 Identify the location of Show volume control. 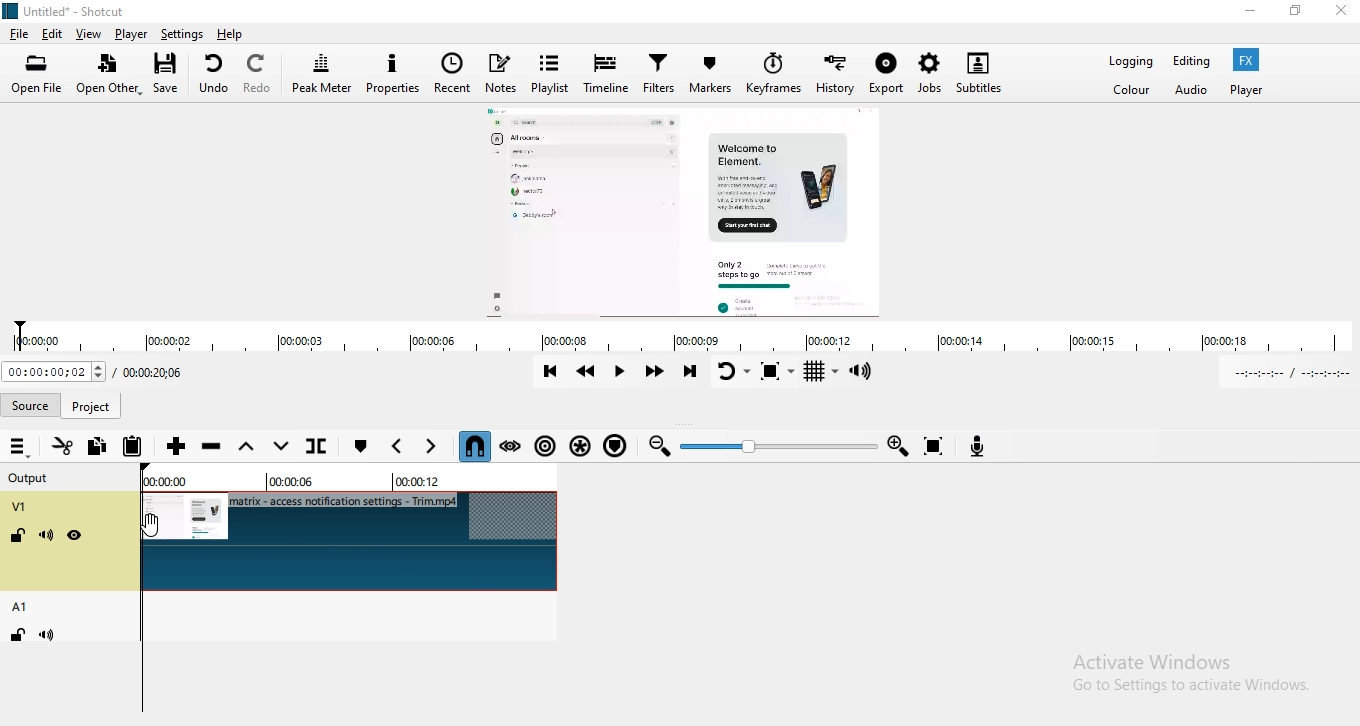
(870, 373).